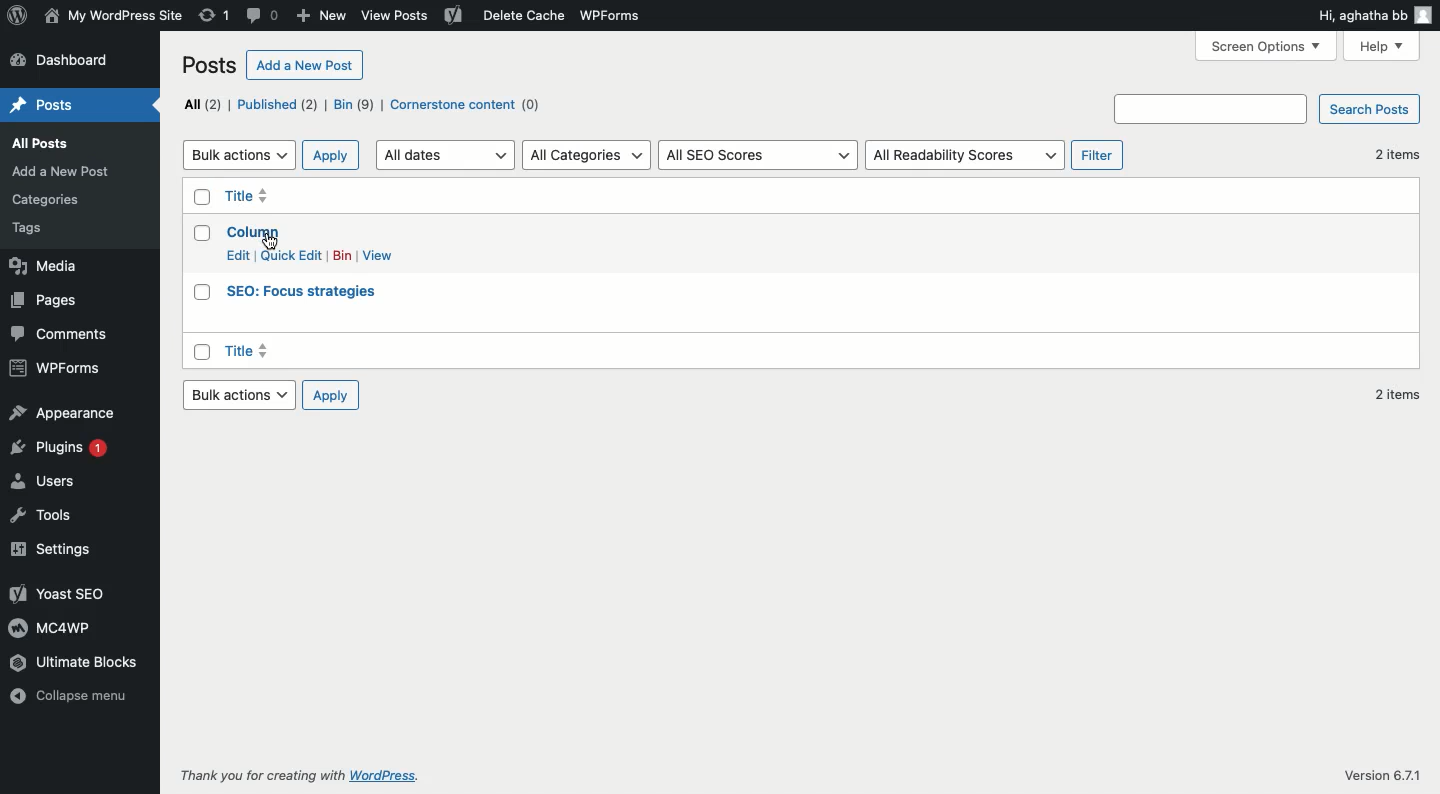 This screenshot has width=1440, height=794. I want to click on Bin, so click(341, 255).